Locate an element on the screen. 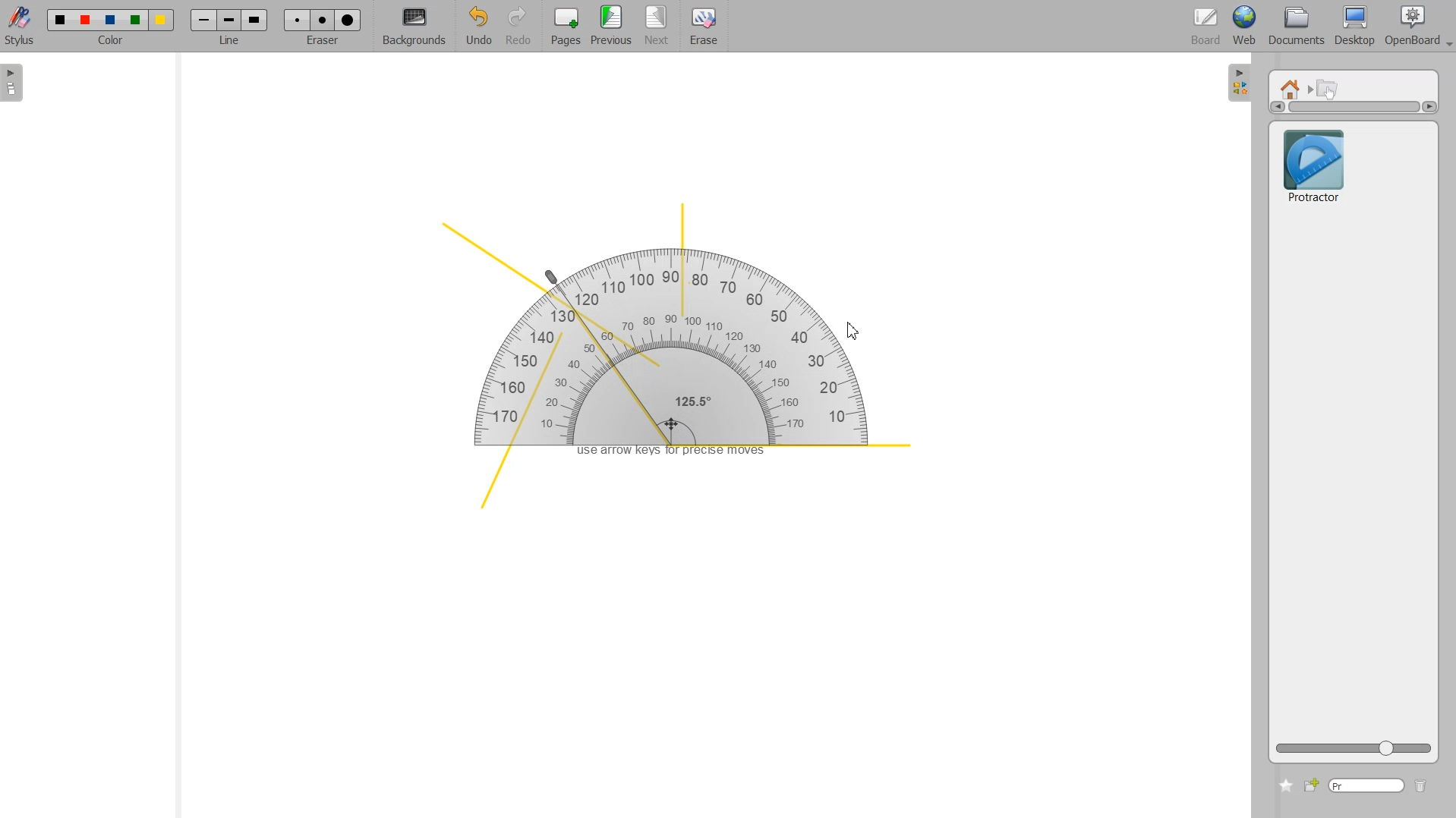  Board is located at coordinates (1206, 27).